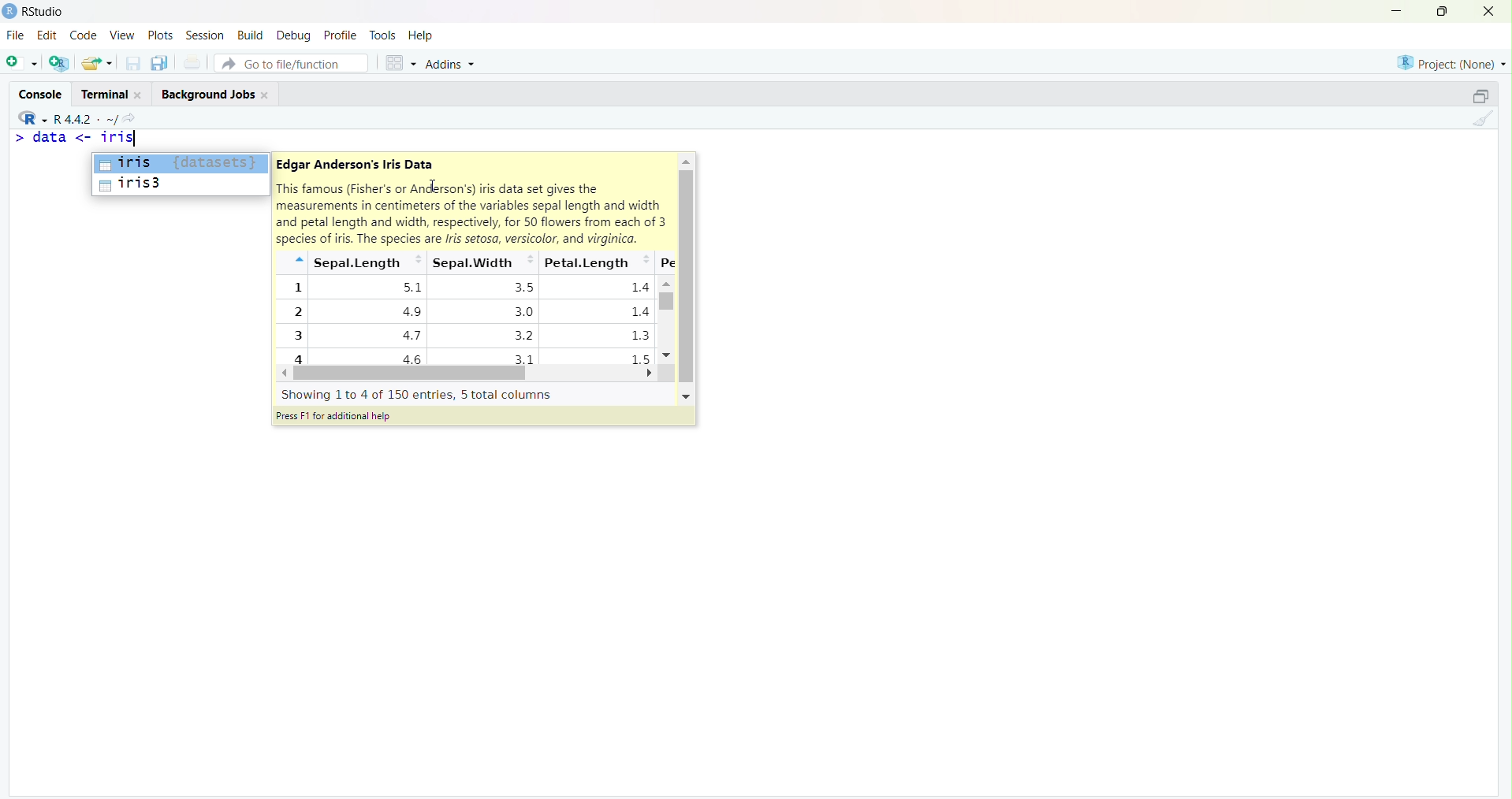 The width and height of the screenshot is (1512, 799). What do you see at coordinates (132, 64) in the screenshot?
I see `Save current document (Ctrl + S)` at bounding box center [132, 64].